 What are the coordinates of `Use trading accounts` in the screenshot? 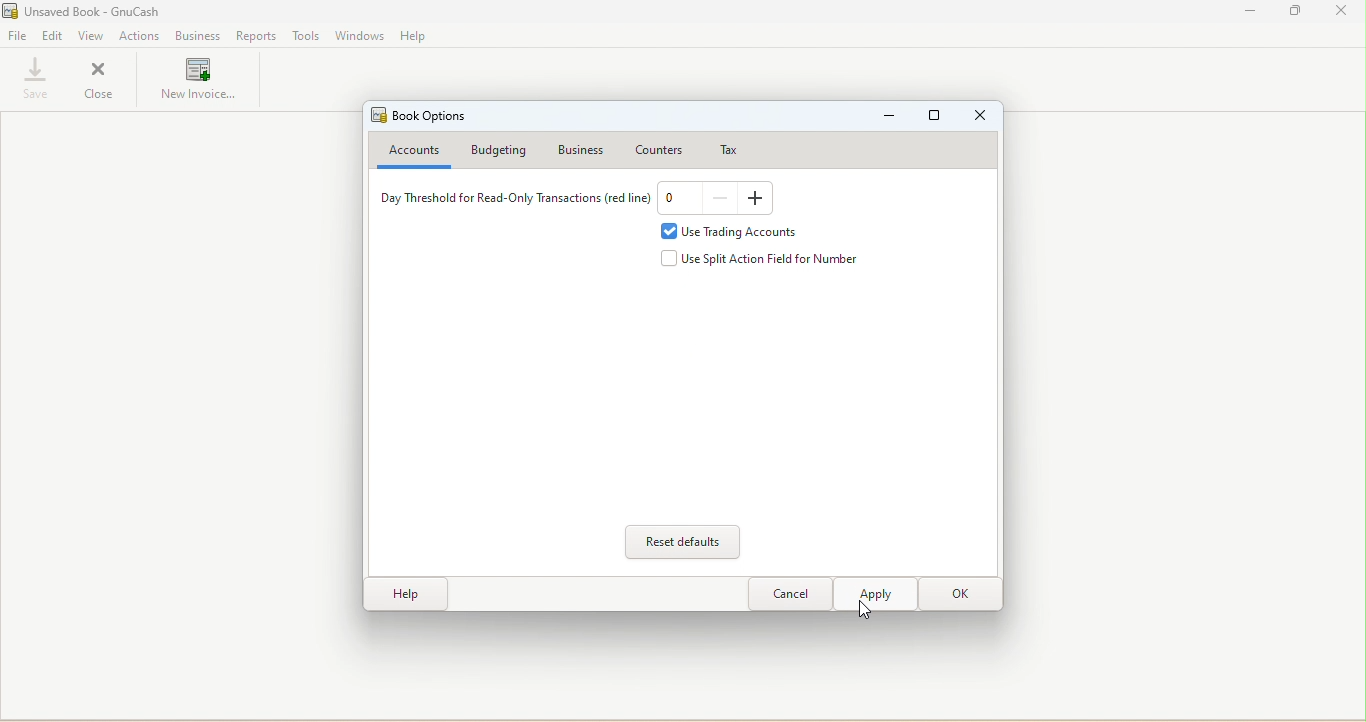 It's located at (737, 232).